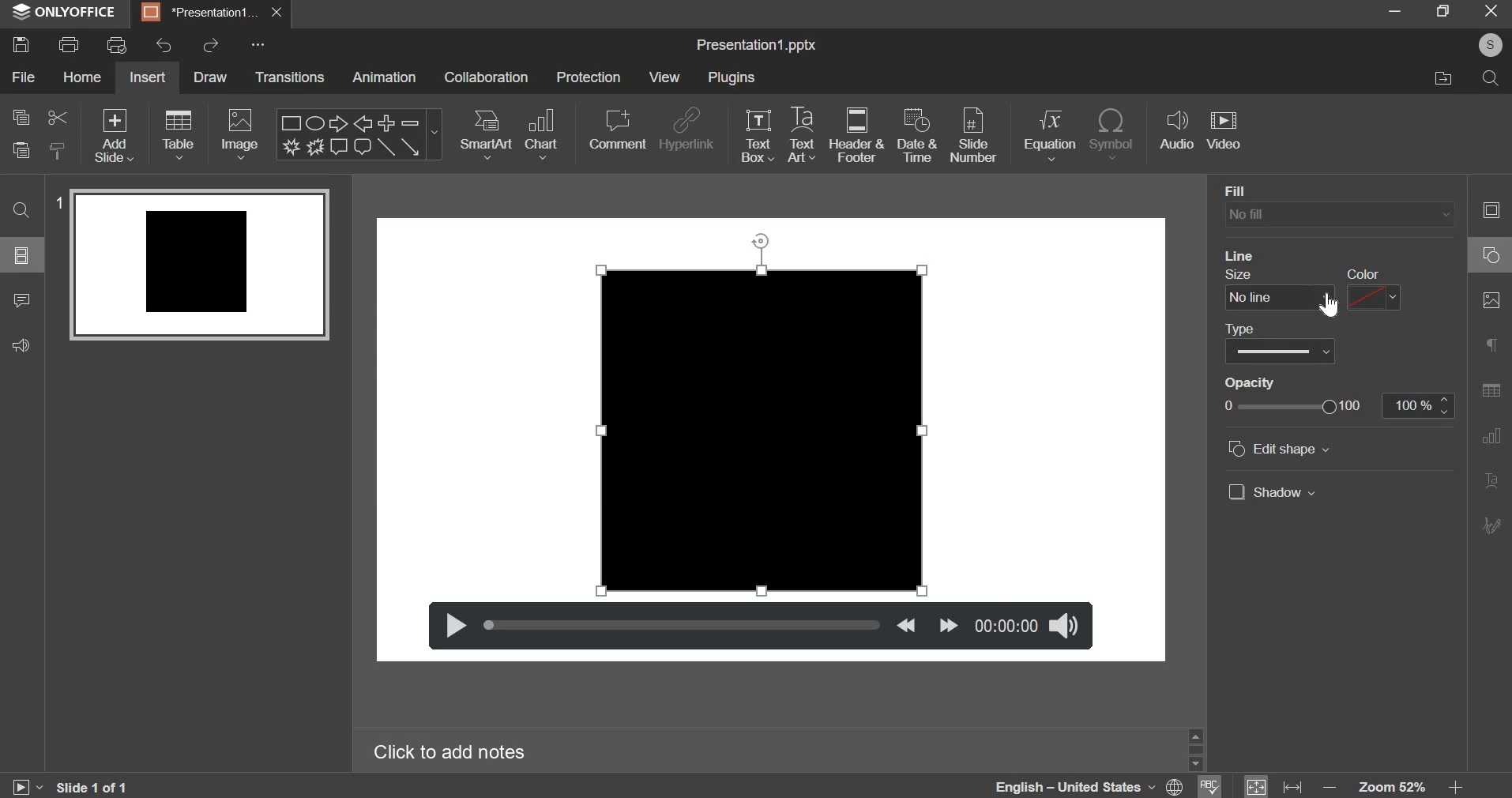 The height and width of the screenshot is (798, 1512). What do you see at coordinates (1256, 382) in the screenshot?
I see `Opacity` at bounding box center [1256, 382].